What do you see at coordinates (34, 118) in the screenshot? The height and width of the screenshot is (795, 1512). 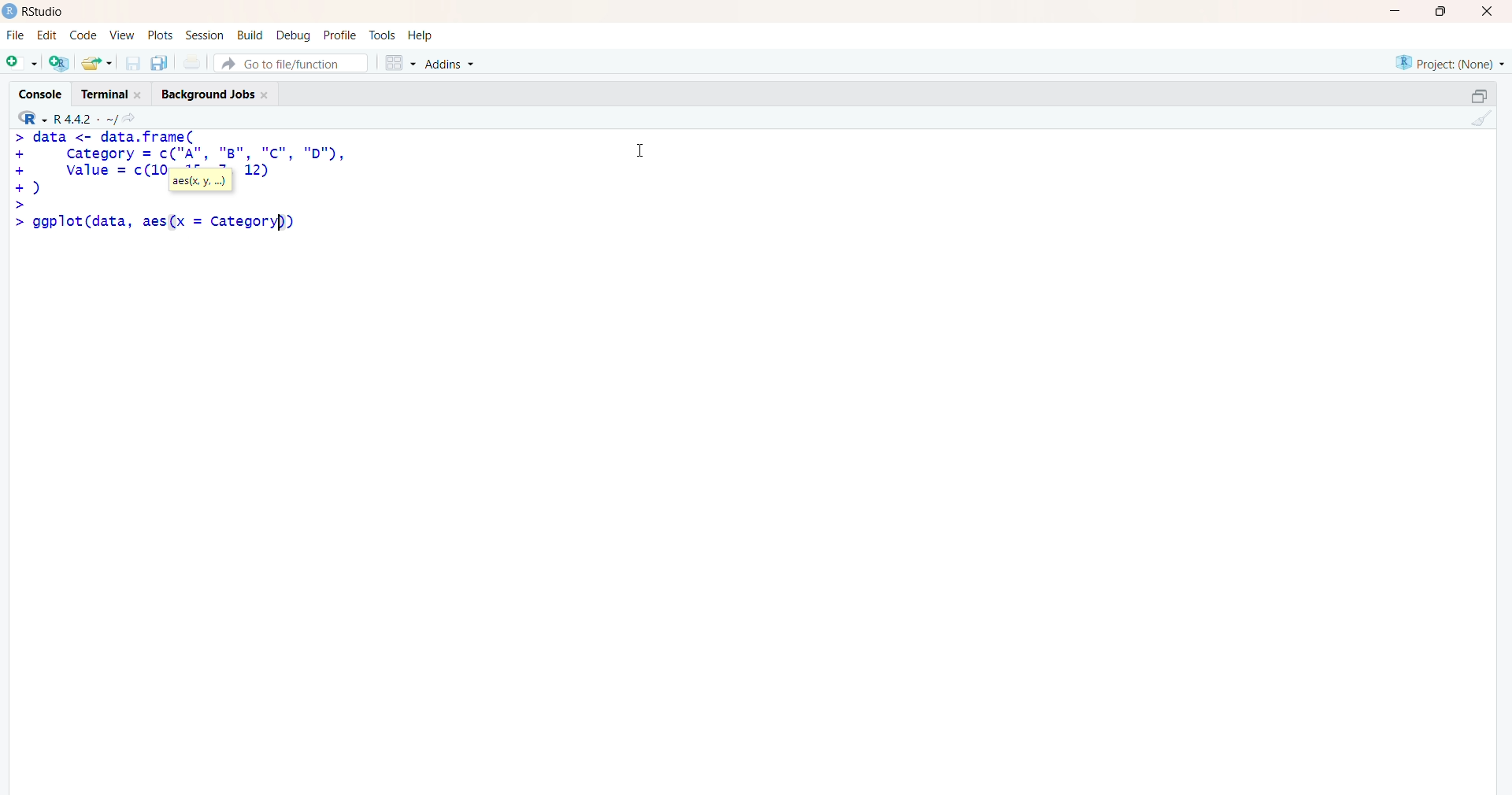 I see `R language` at bounding box center [34, 118].